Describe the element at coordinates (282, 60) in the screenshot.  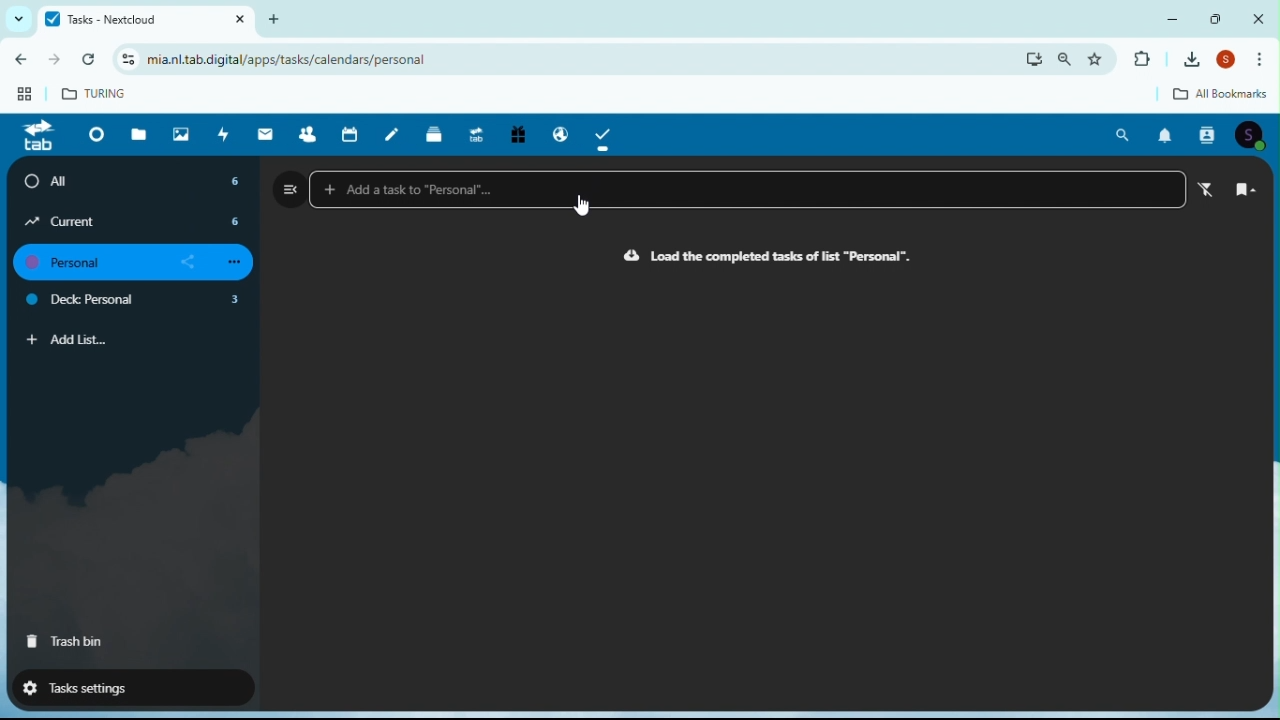
I see `mia.ni.tab.digital/apps/tasks/calendars/personal` at that location.